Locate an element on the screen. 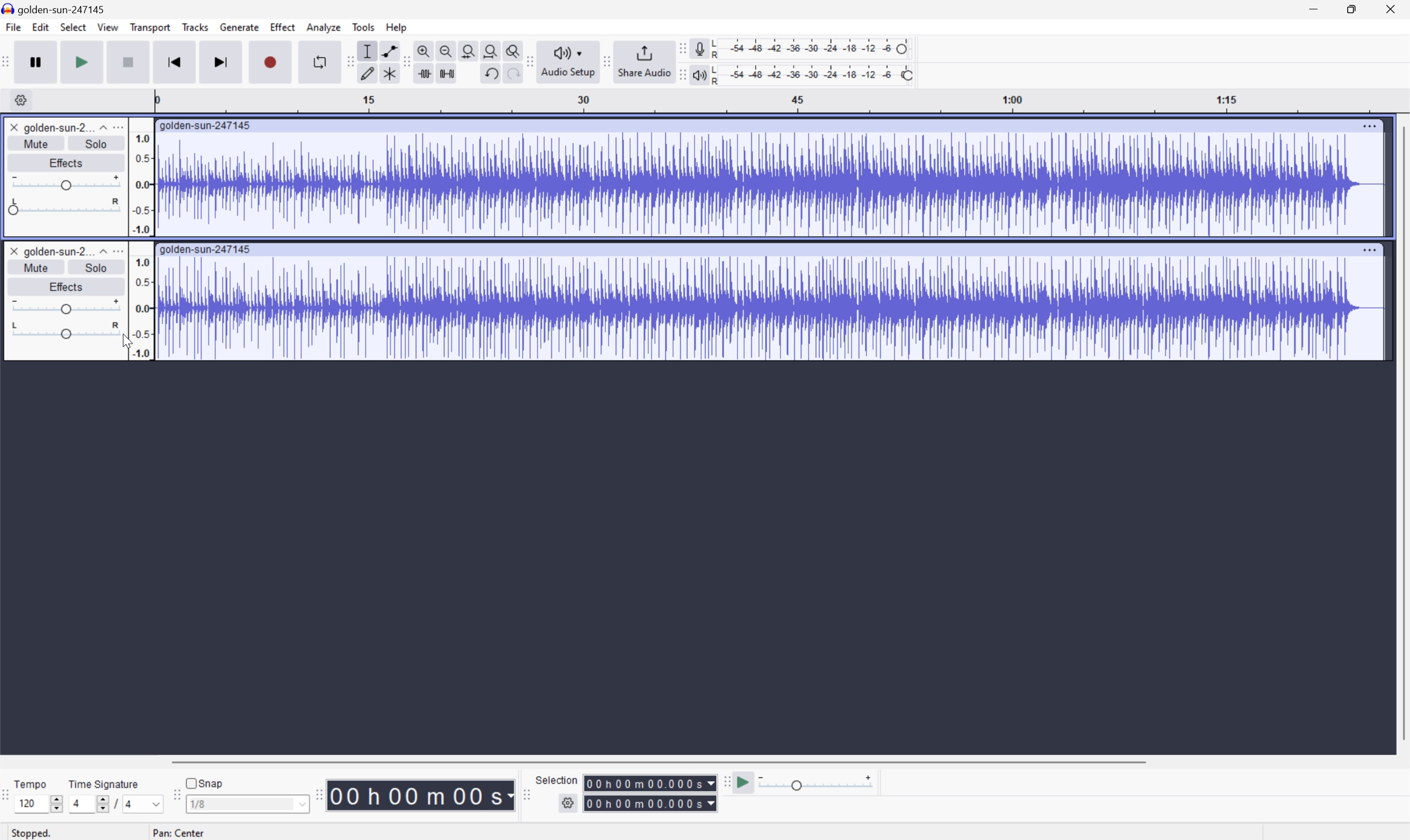  Audacity Time signature toolbar is located at coordinates (9, 790).